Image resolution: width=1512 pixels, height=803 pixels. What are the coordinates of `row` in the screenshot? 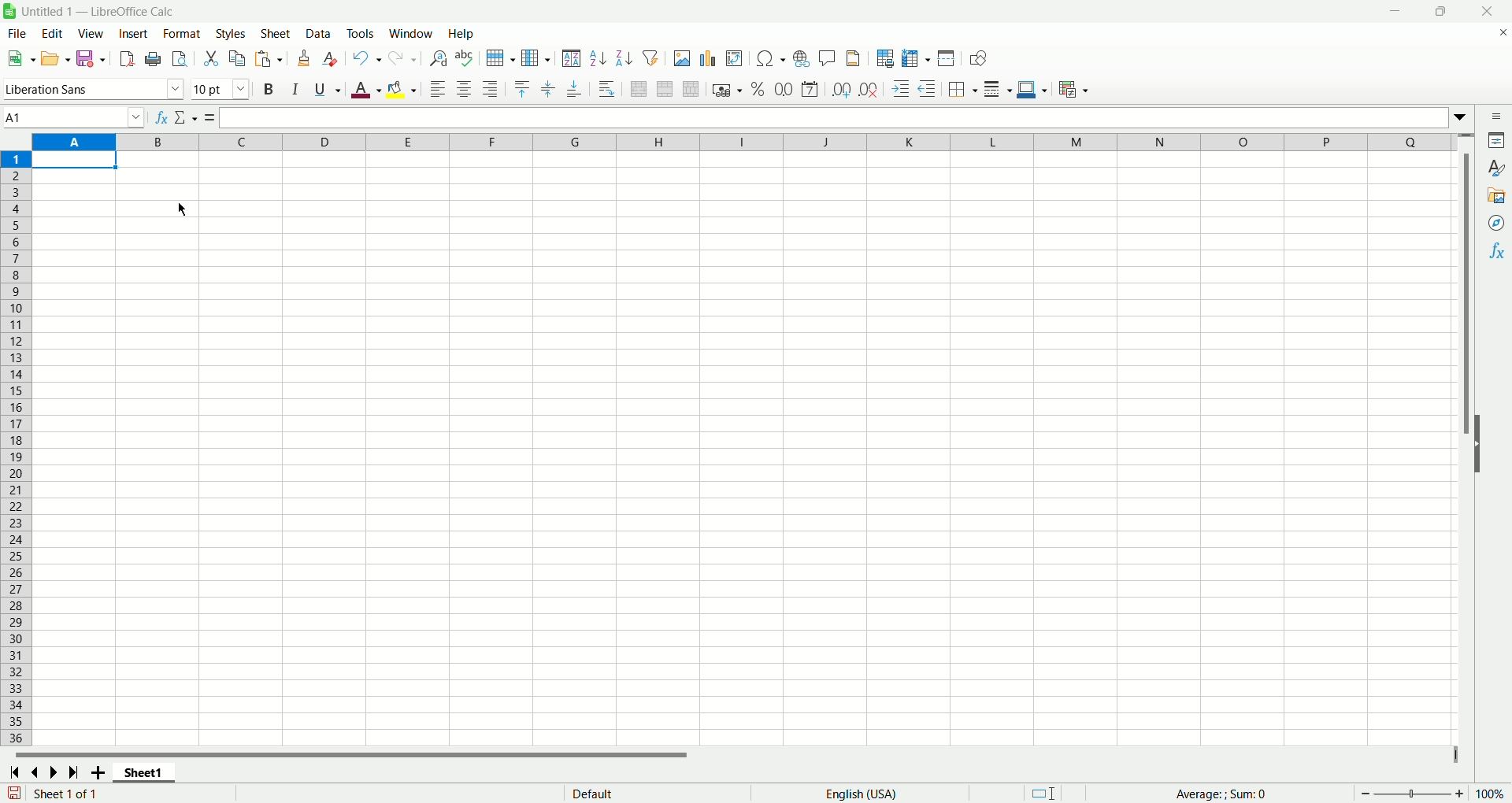 It's located at (498, 57).